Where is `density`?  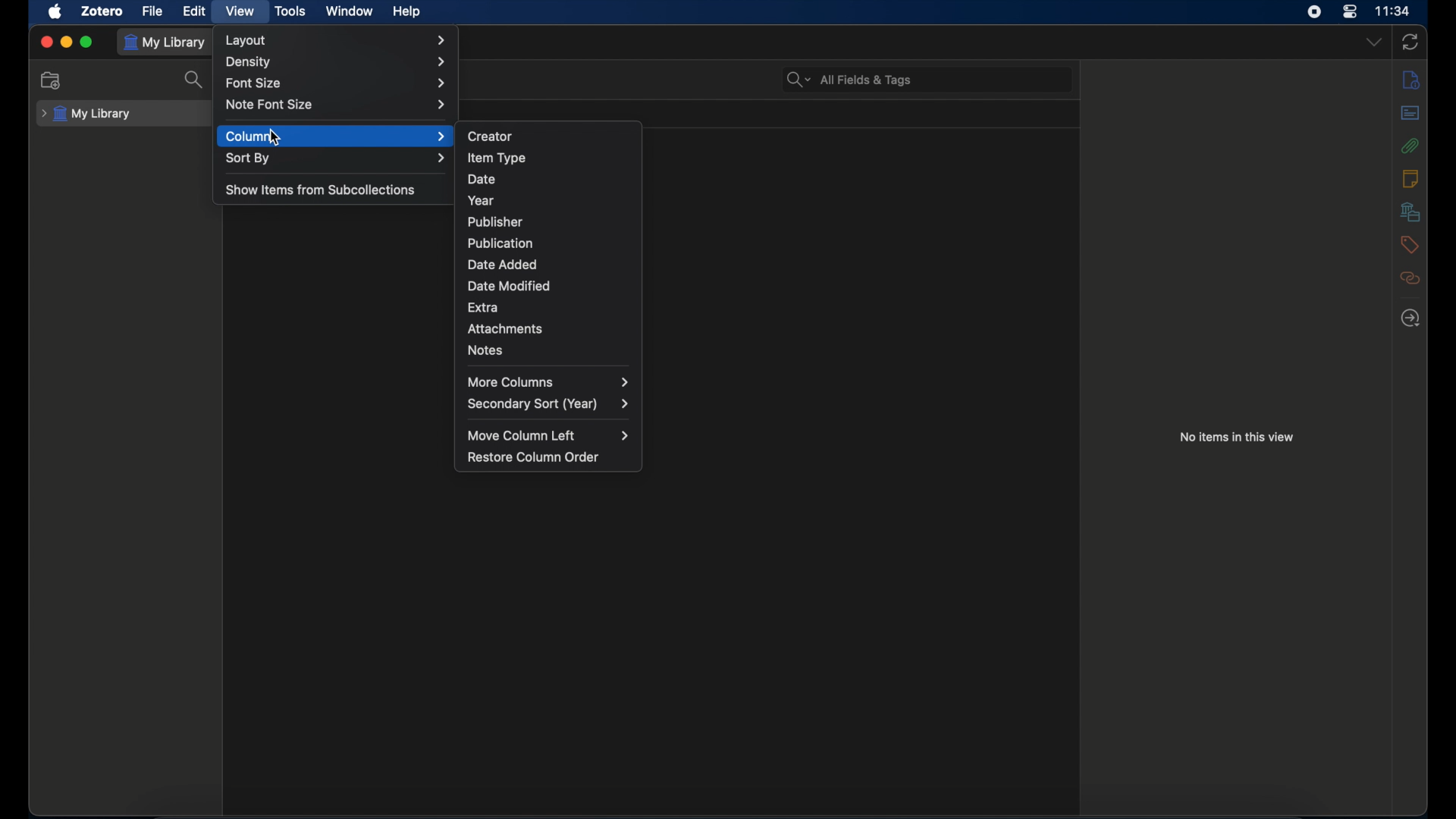
density is located at coordinates (336, 62).